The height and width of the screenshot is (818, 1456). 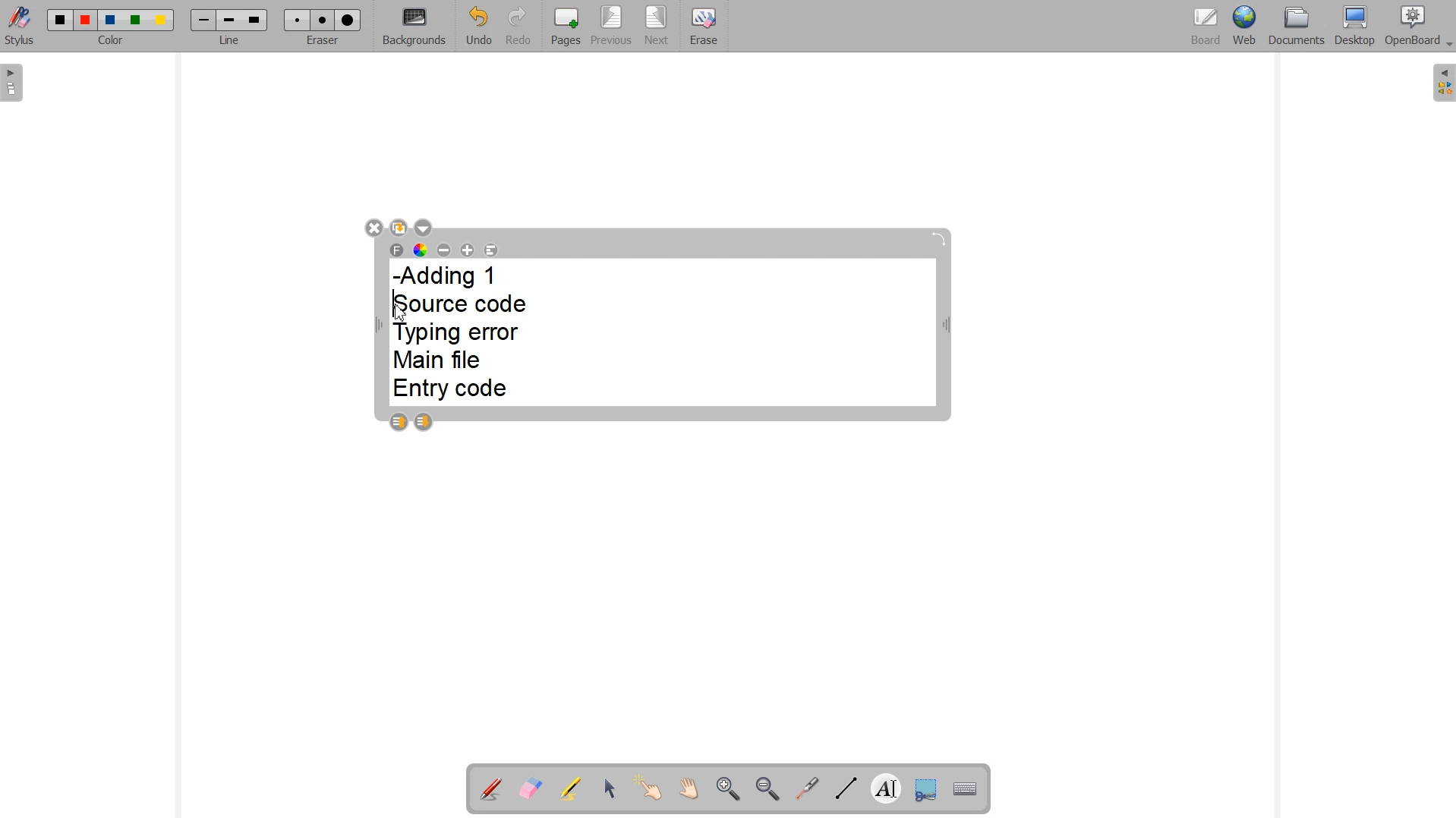 What do you see at coordinates (726, 788) in the screenshot?
I see `Zoom in` at bounding box center [726, 788].